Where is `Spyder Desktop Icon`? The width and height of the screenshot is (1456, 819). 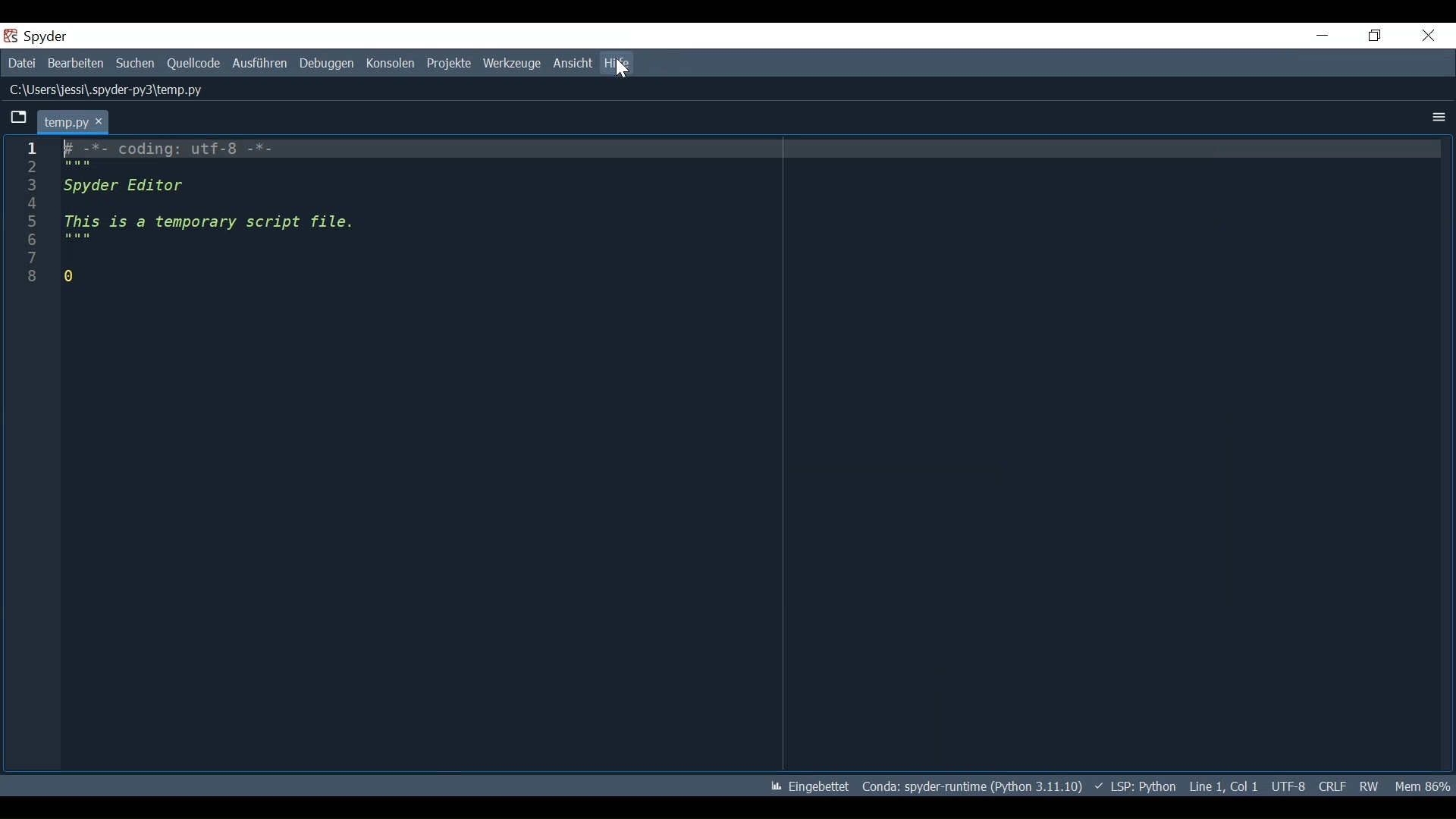
Spyder Desktop Icon is located at coordinates (12, 36).